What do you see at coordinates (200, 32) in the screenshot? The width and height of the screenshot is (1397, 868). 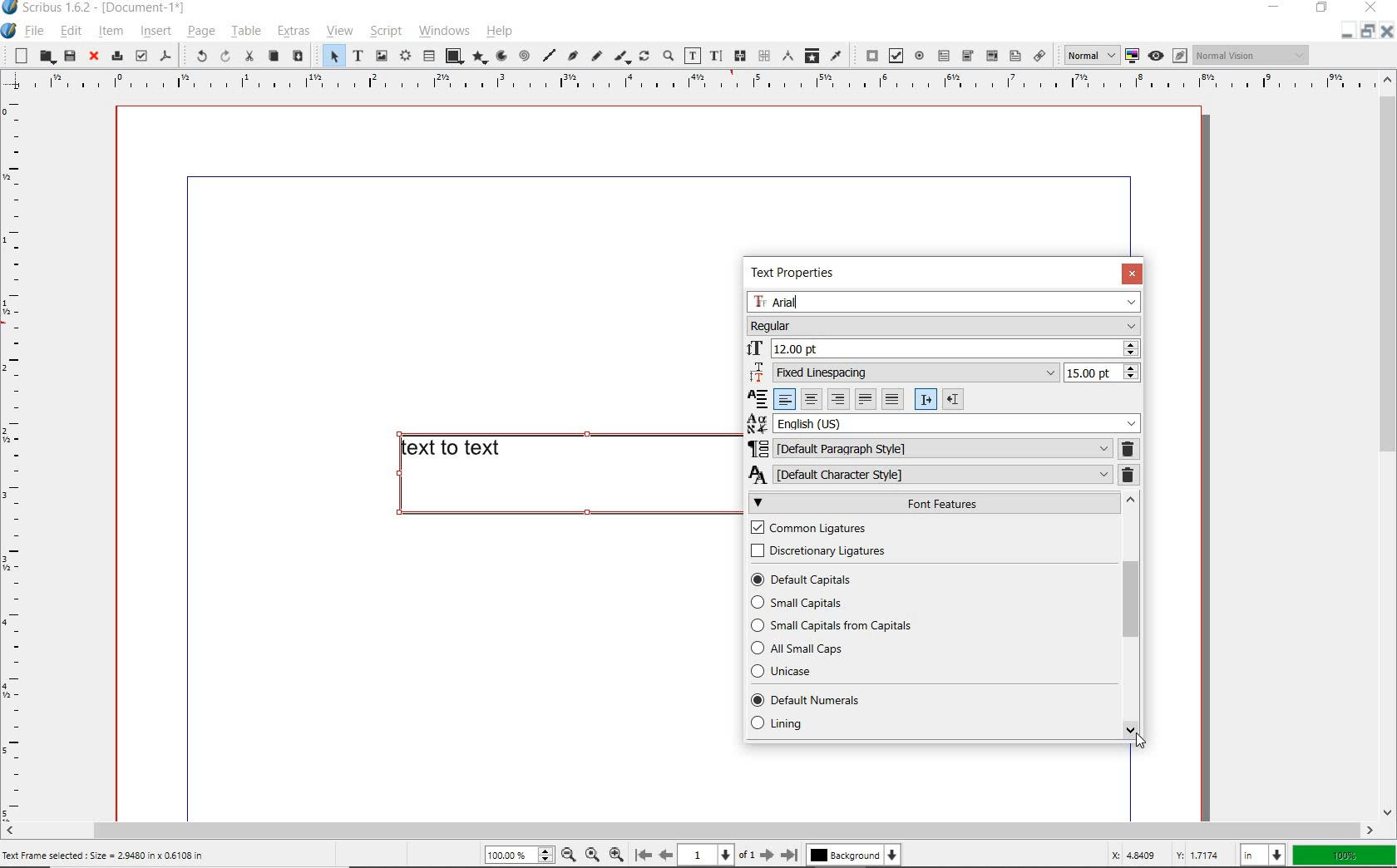 I see `page` at bounding box center [200, 32].